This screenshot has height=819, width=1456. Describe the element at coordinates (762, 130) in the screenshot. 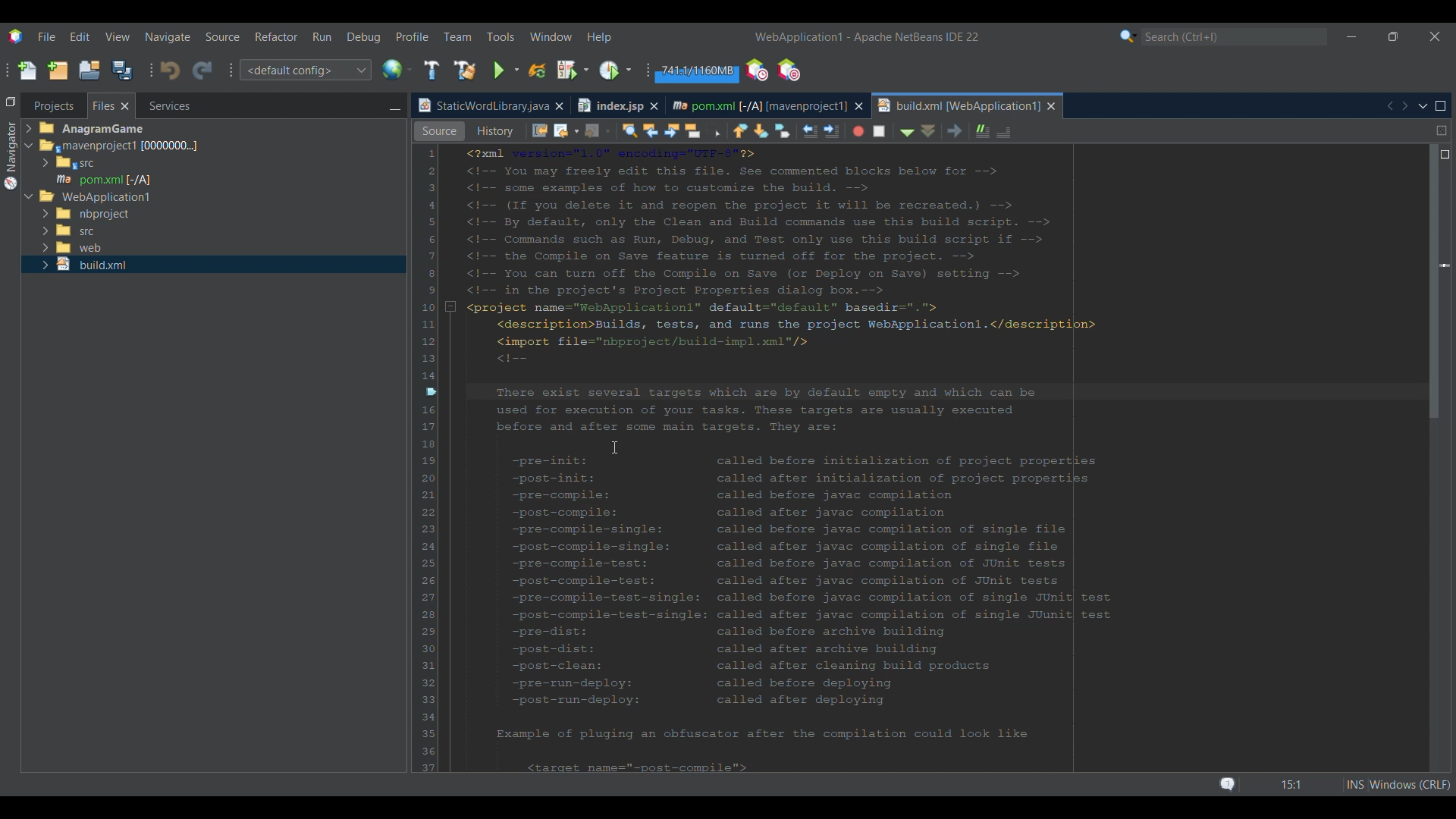

I see `Find selection` at that location.